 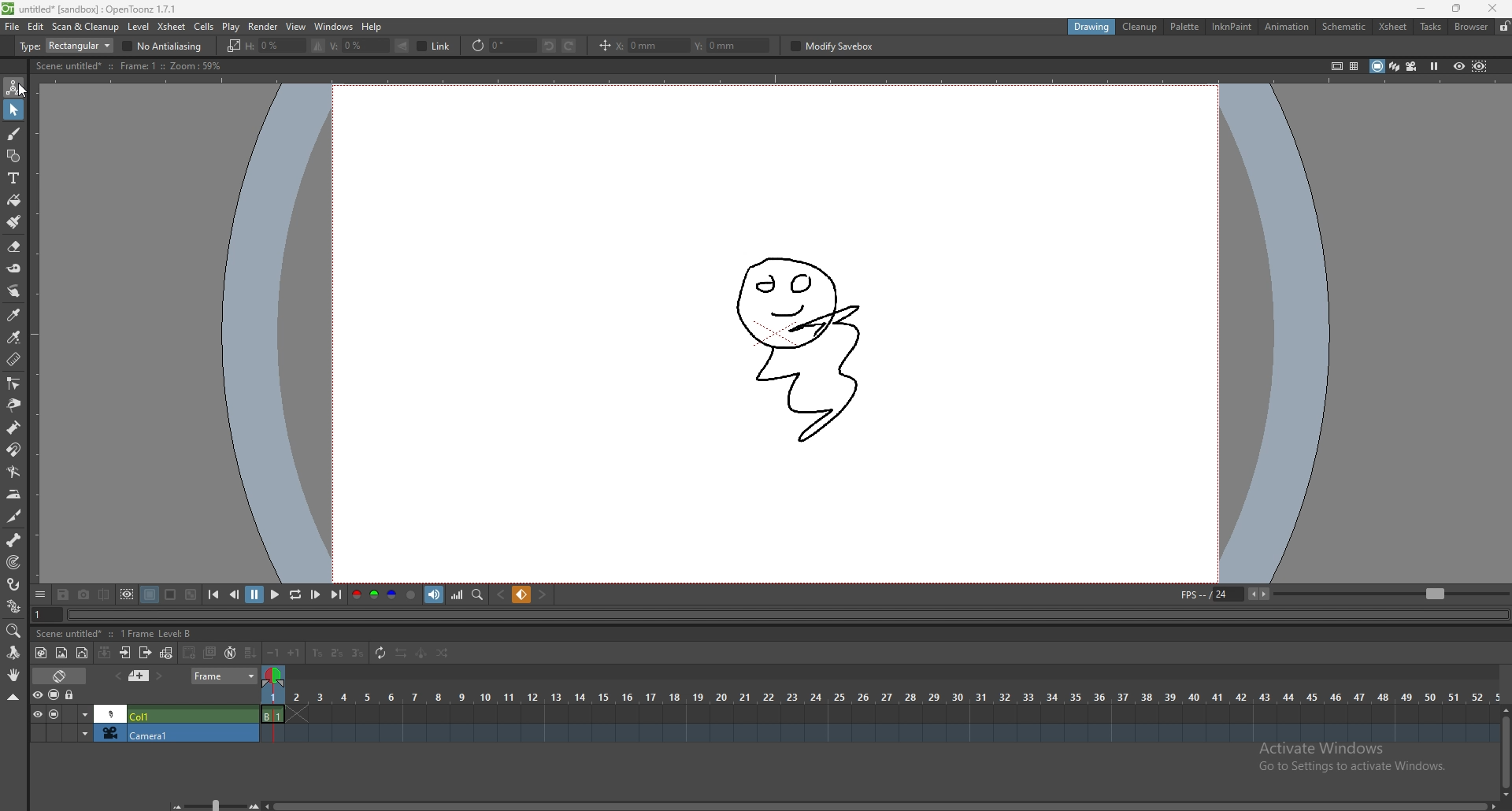 I want to click on safe area, so click(x=1335, y=65).